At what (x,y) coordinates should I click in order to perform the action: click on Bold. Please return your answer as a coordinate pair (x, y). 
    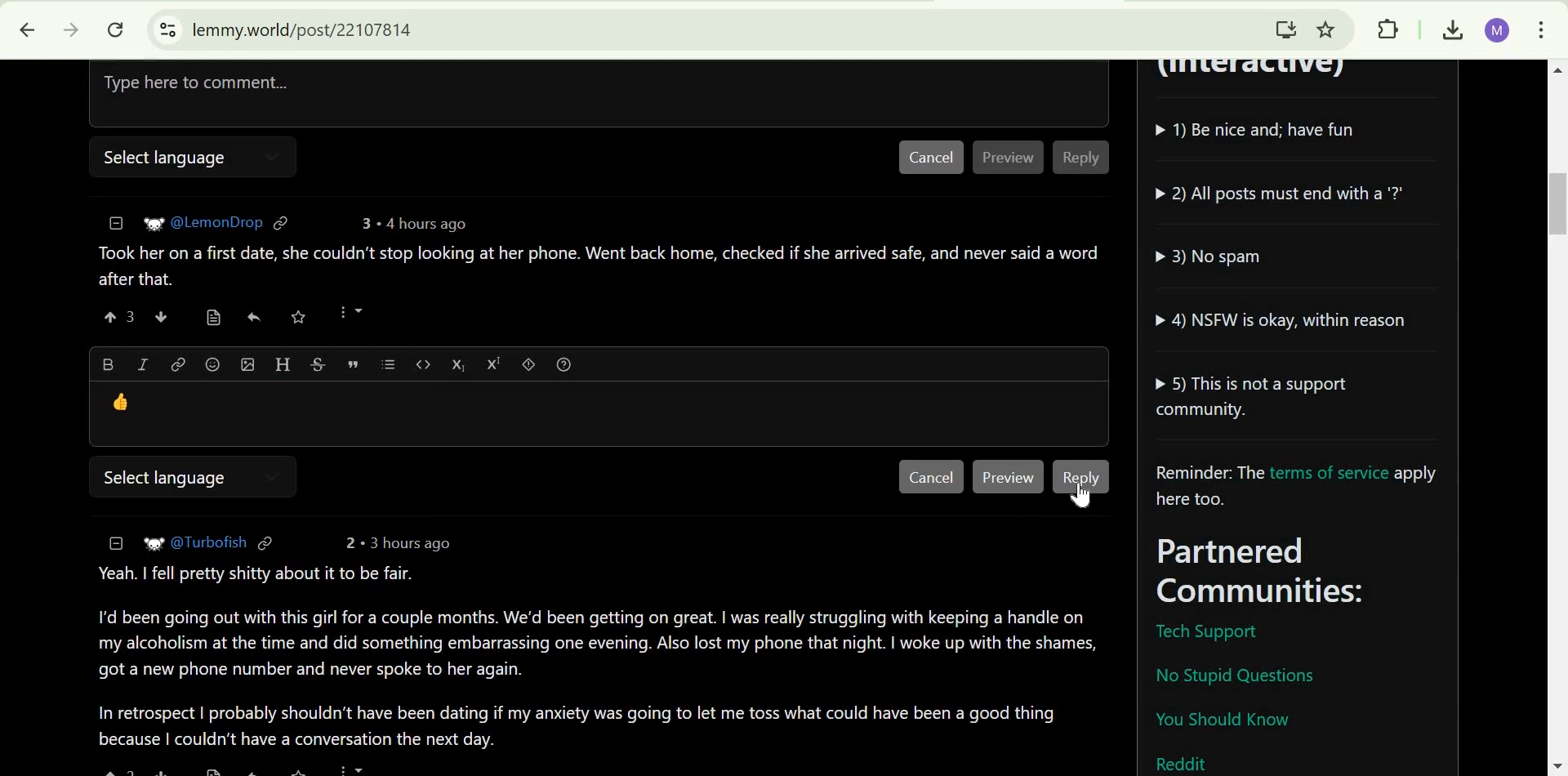
    Looking at the image, I should click on (108, 362).